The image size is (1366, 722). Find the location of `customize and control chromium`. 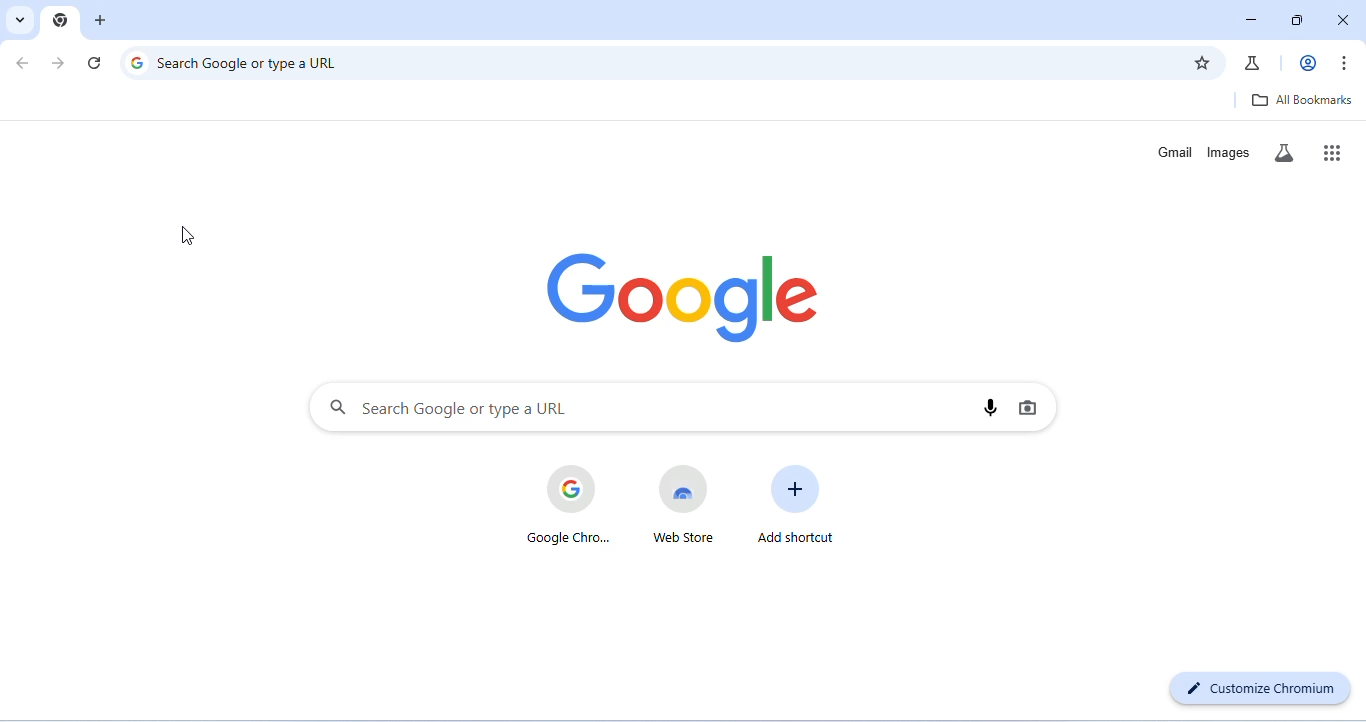

customize and control chromium is located at coordinates (1348, 63).